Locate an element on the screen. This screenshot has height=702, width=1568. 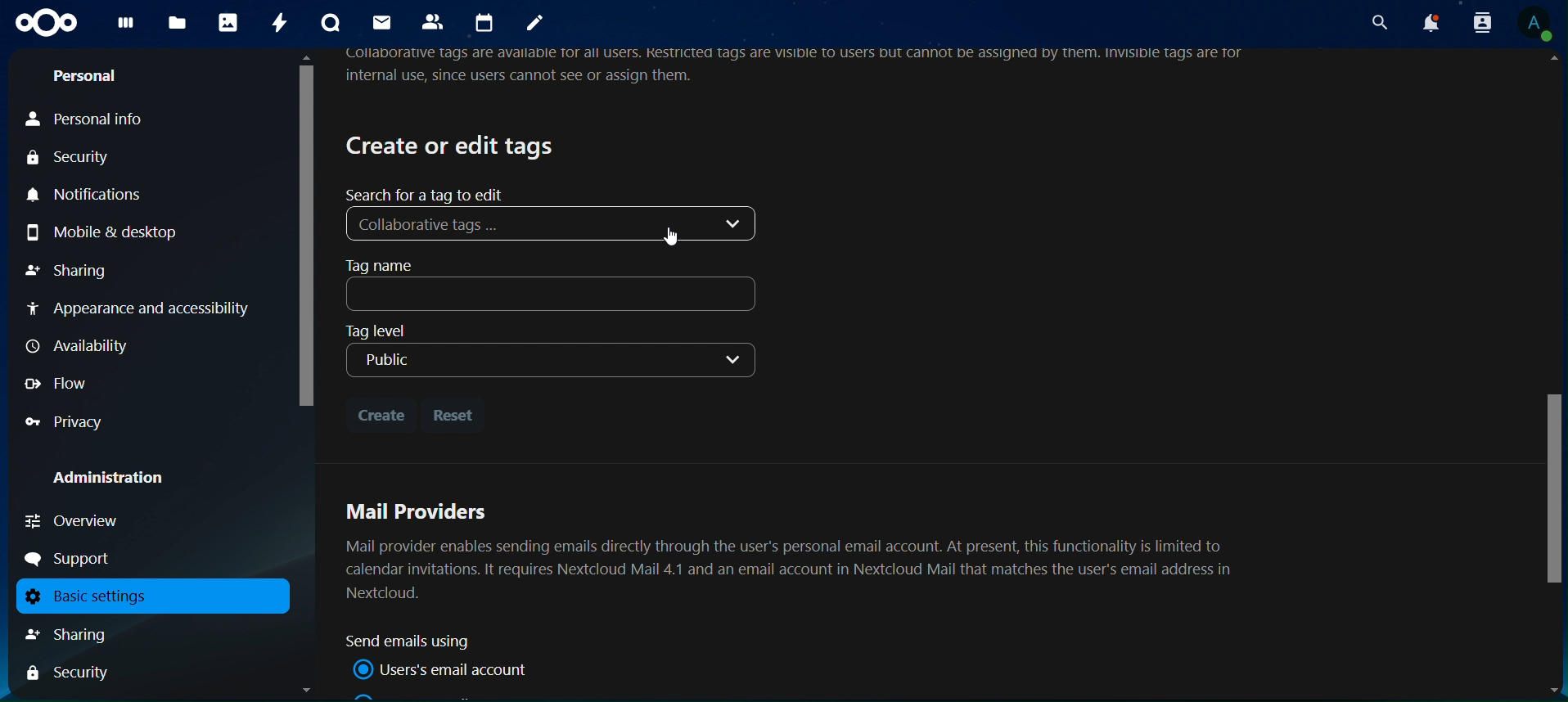
administration is located at coordinates (120, 479).